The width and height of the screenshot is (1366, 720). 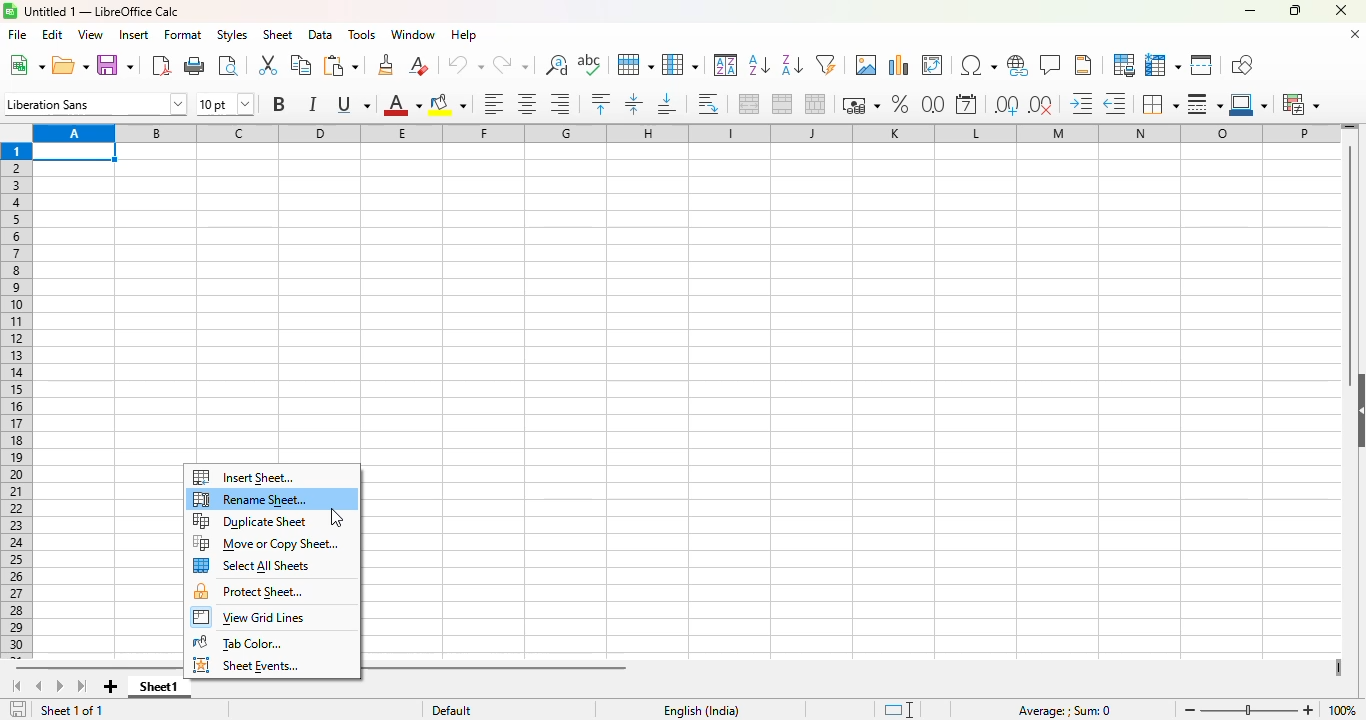 I want to click on view grid lines, so click(x=249, y=616).